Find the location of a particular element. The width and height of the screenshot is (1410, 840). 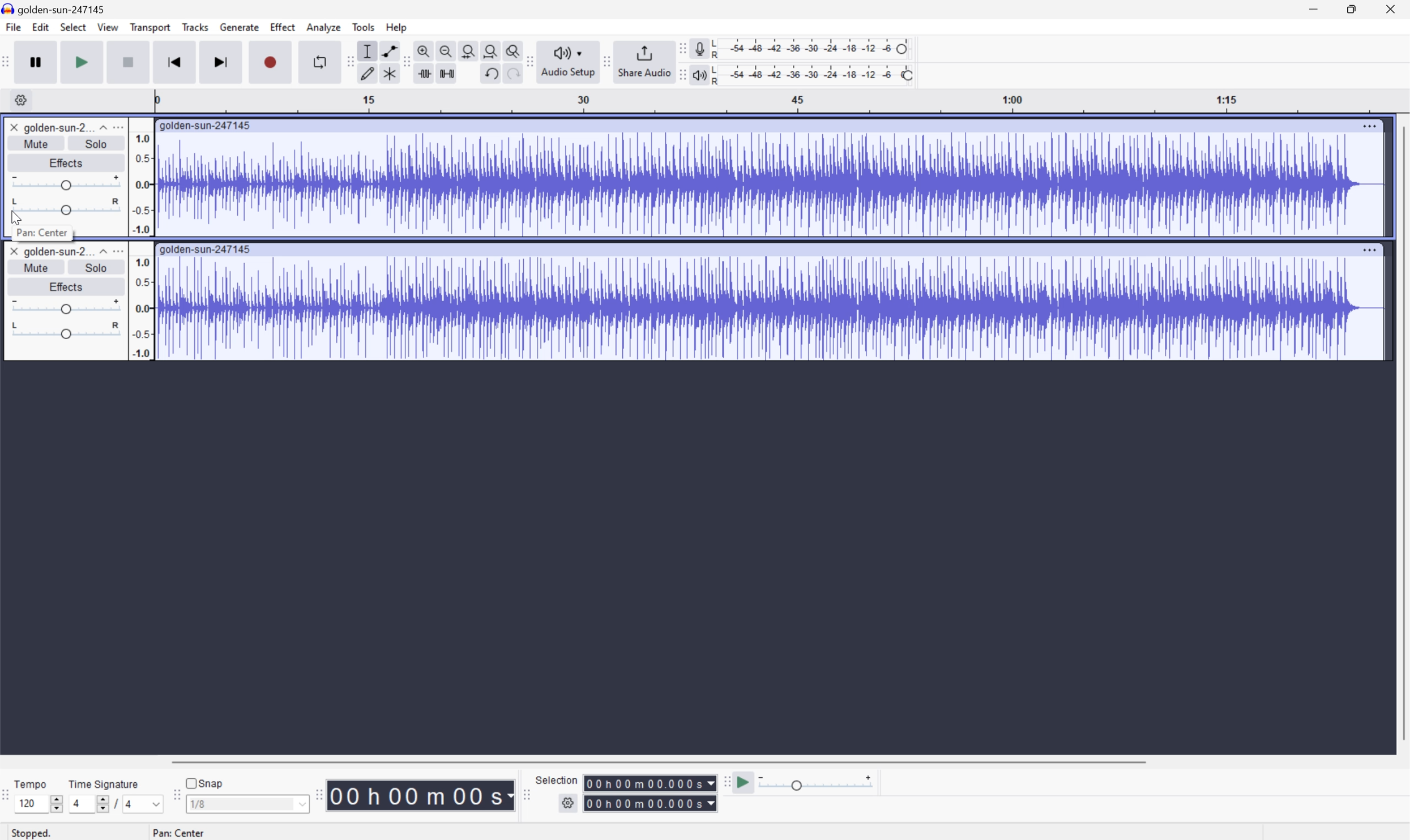

Audacity Edit toolbar is located at coordinates (405, 61).